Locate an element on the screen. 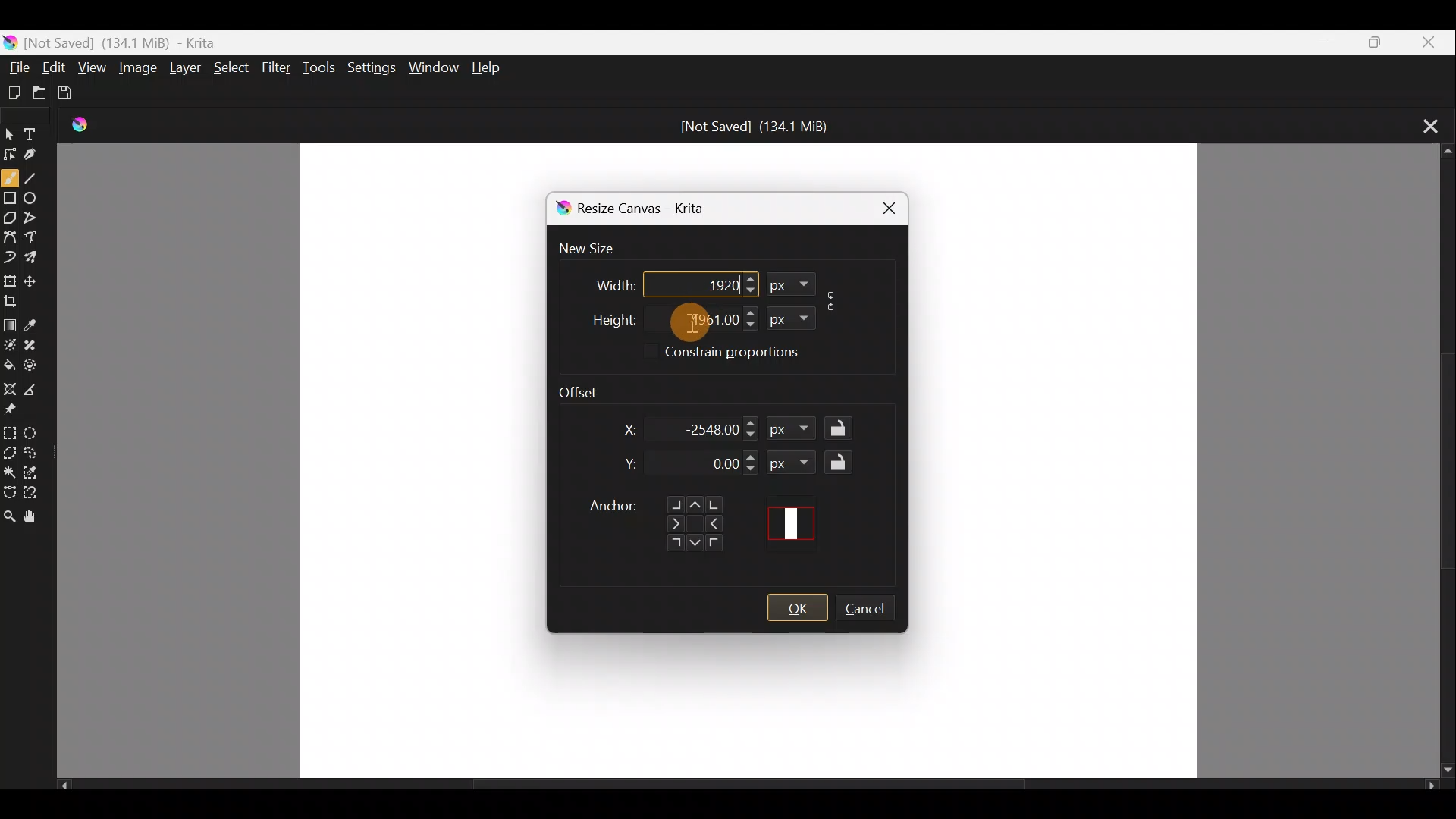 The height and width of the screenshot is (819, 1456). Format is located at coordinates (790, 284).